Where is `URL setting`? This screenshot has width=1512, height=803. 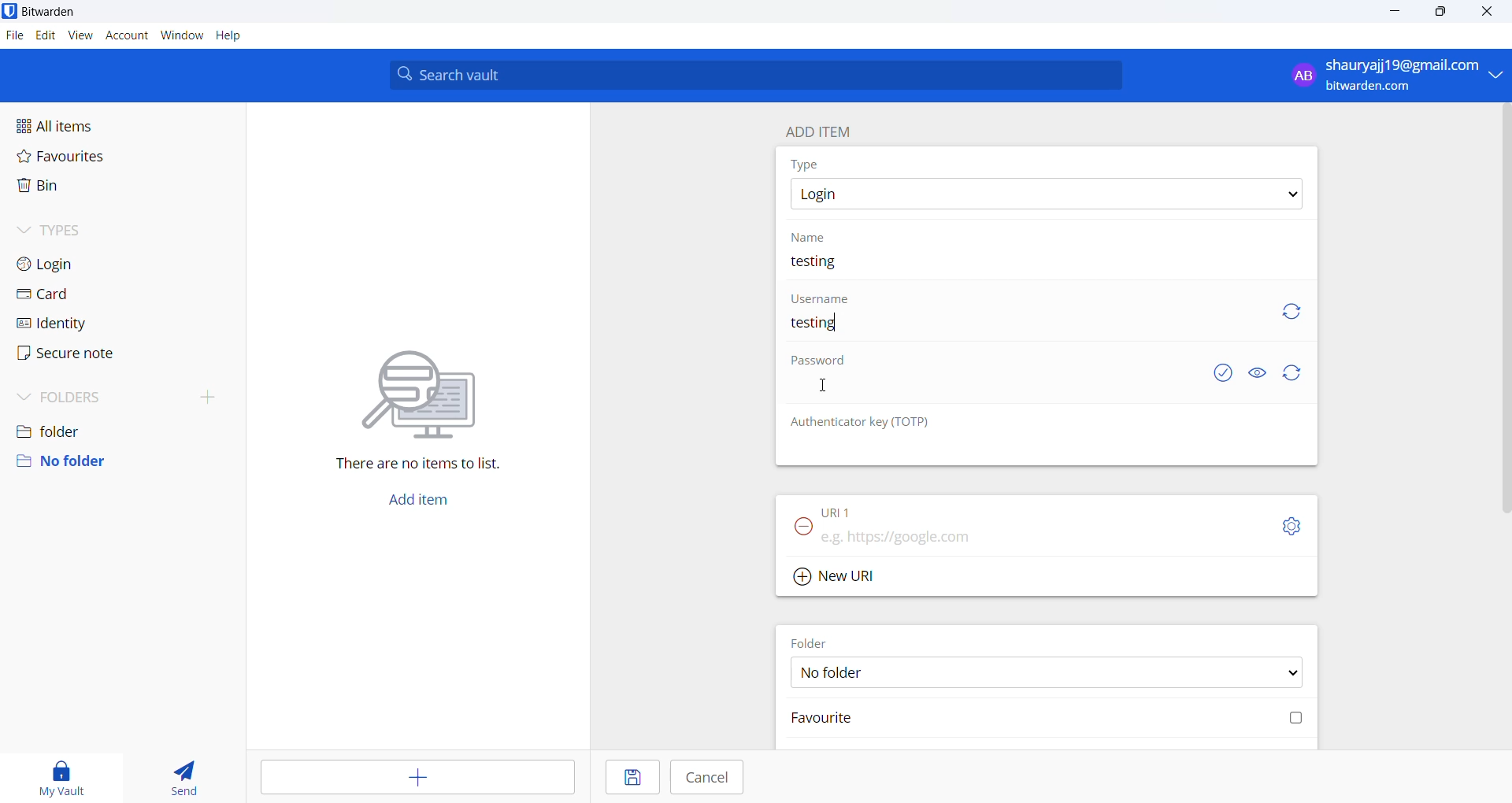
URL setting is located at coordinates (1284, 525).